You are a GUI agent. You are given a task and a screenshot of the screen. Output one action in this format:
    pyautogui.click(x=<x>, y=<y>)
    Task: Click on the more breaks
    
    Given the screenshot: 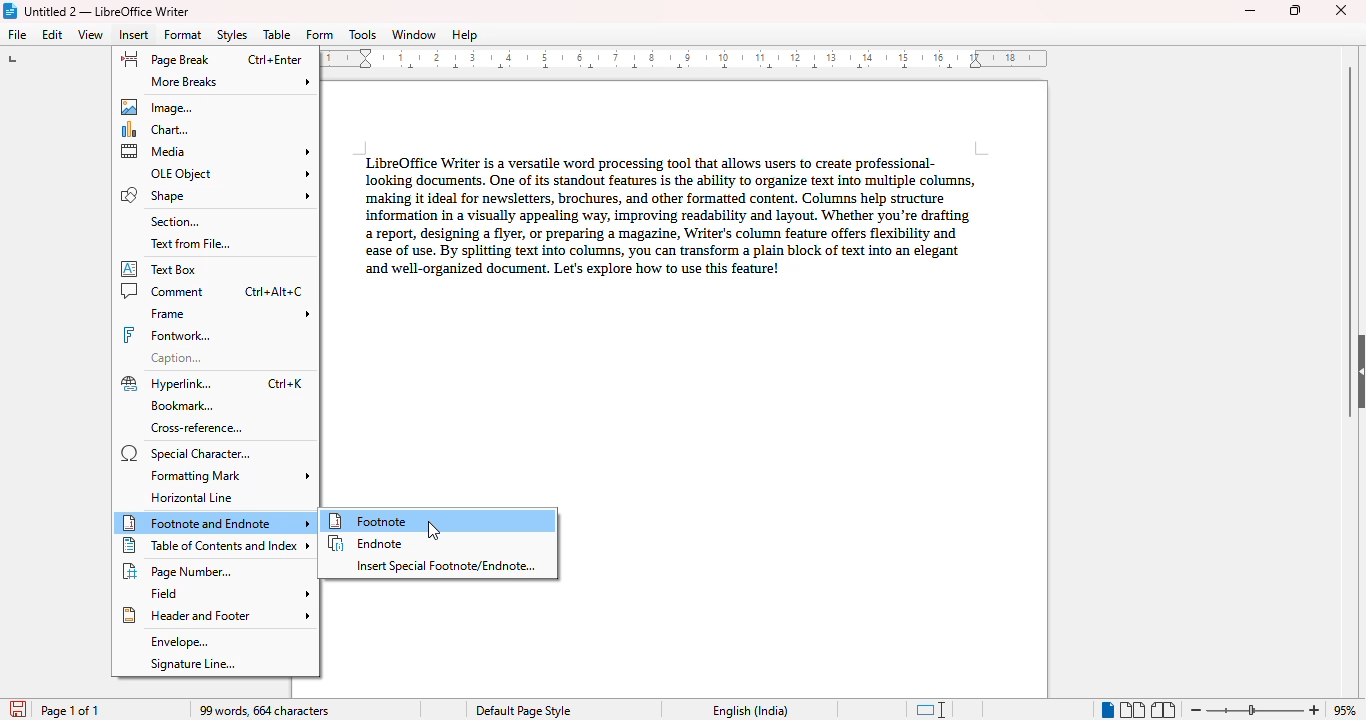 What is the action you would take?
    pyautogui.click(x=230, y=82)
    